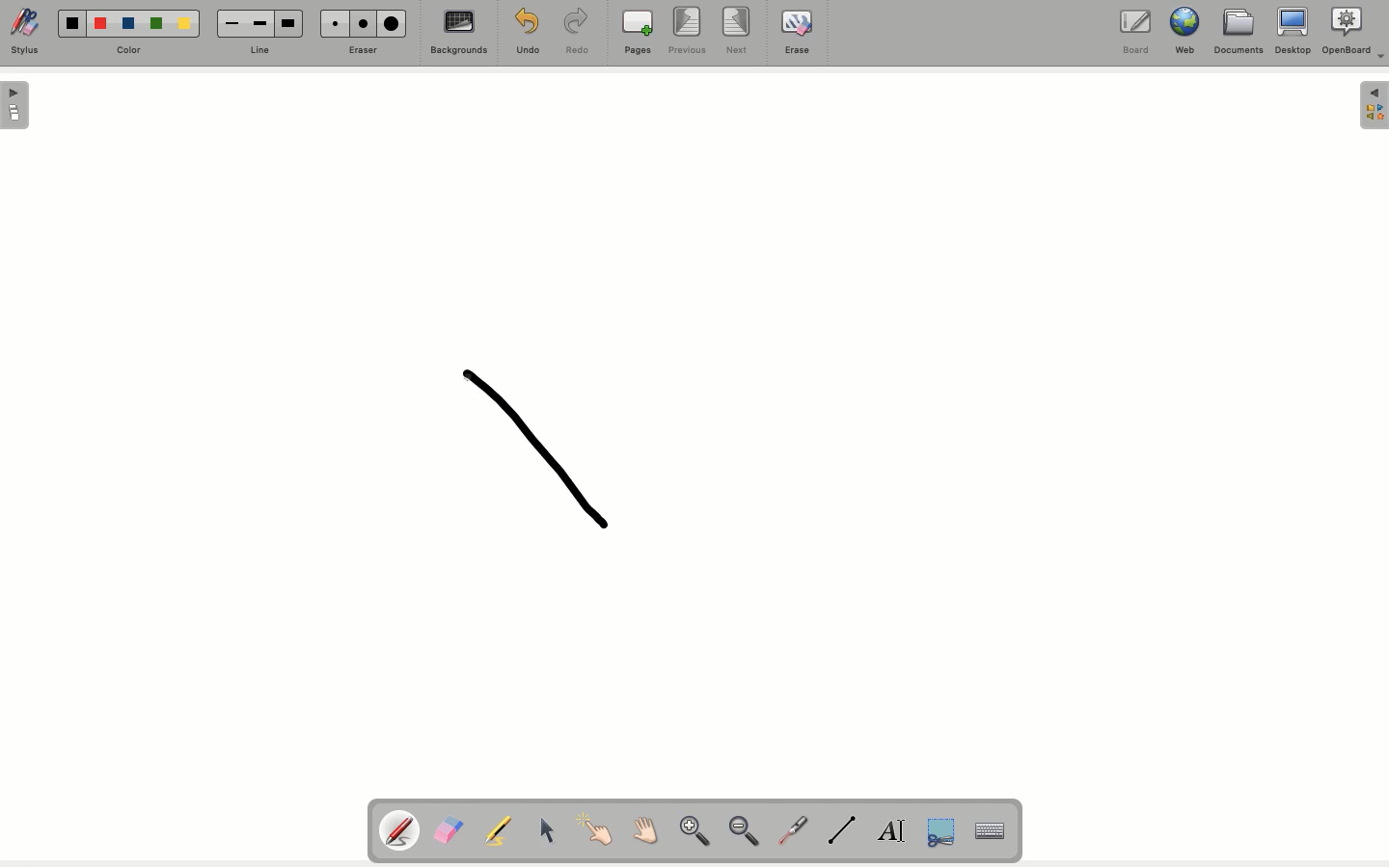 Image resolution: width=1389 pixels, height=868 pixels. What do you see at coordinates (795, 830) in the screenshot?
I see `Laser` at bounding box center [795, 830].